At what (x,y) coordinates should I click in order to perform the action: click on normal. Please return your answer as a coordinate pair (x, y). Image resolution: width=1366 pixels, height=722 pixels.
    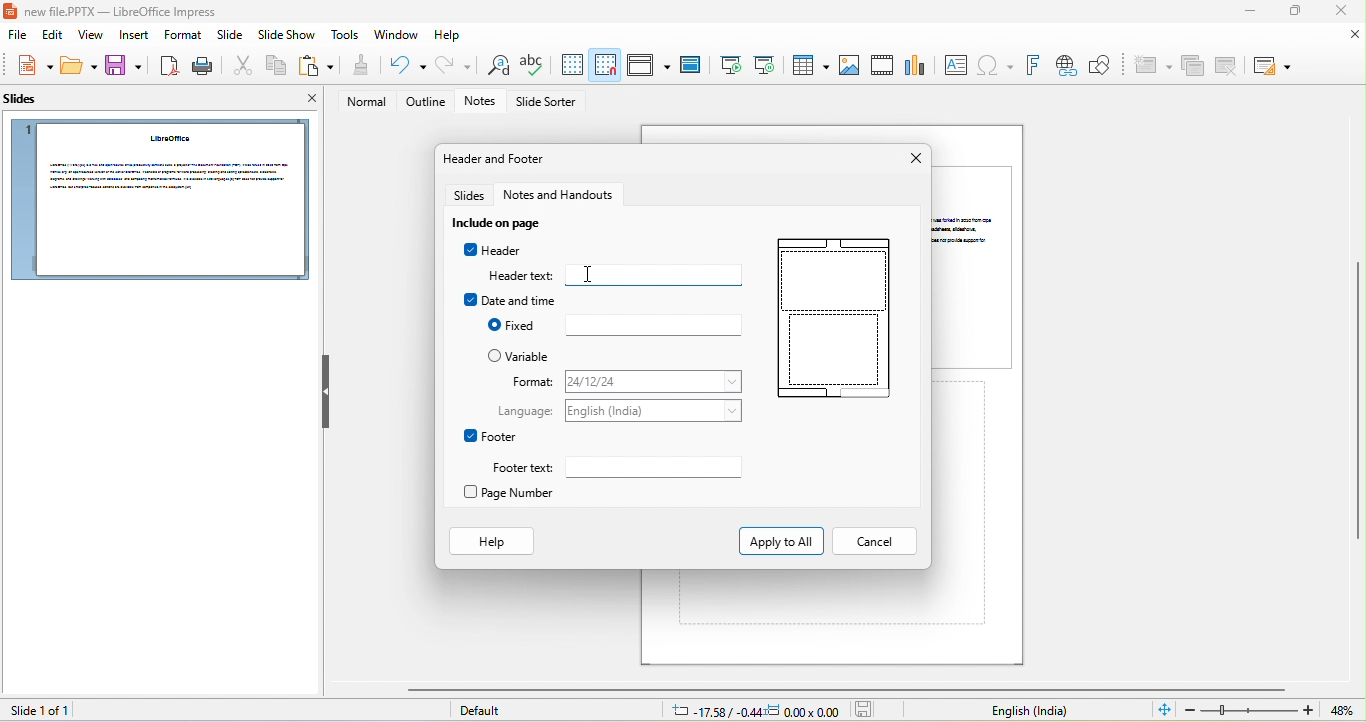
    Looking at the image, I should click on (361, 102).